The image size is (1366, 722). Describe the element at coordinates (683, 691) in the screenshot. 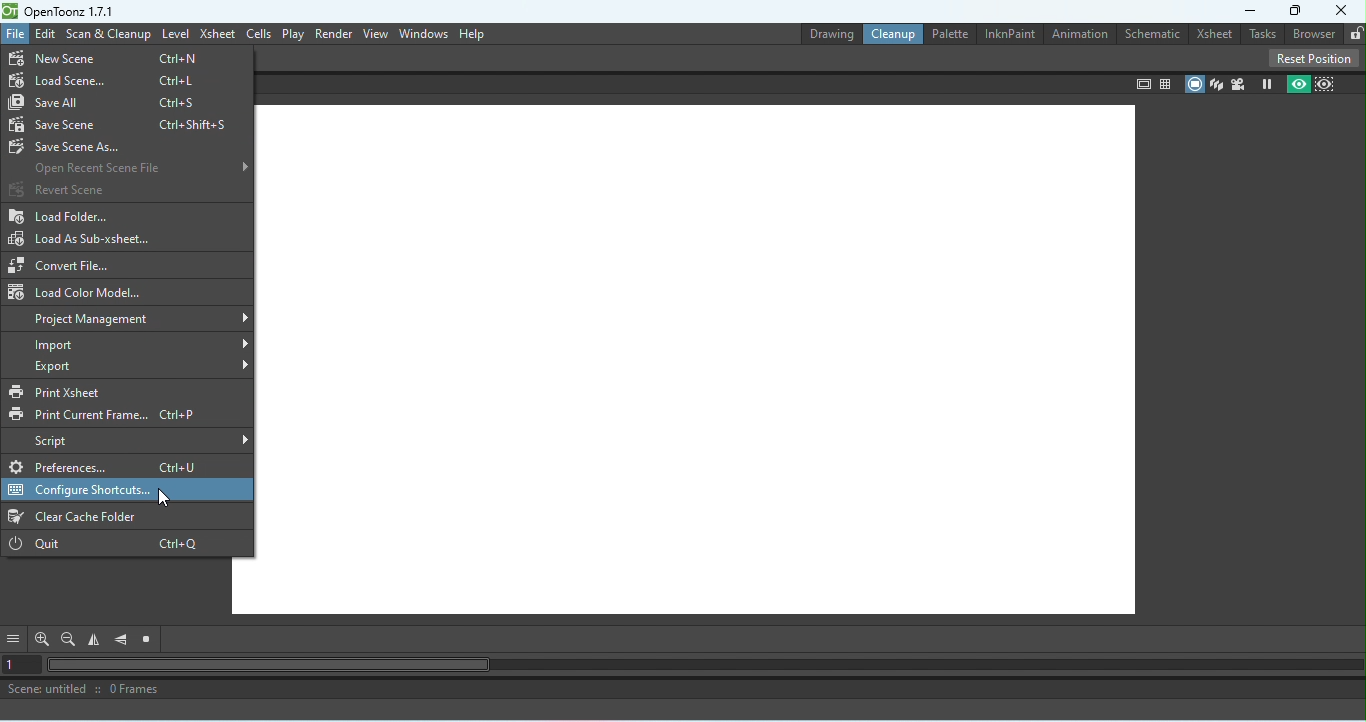

I see `Scene: untitled :: 0 Frames` at that location.